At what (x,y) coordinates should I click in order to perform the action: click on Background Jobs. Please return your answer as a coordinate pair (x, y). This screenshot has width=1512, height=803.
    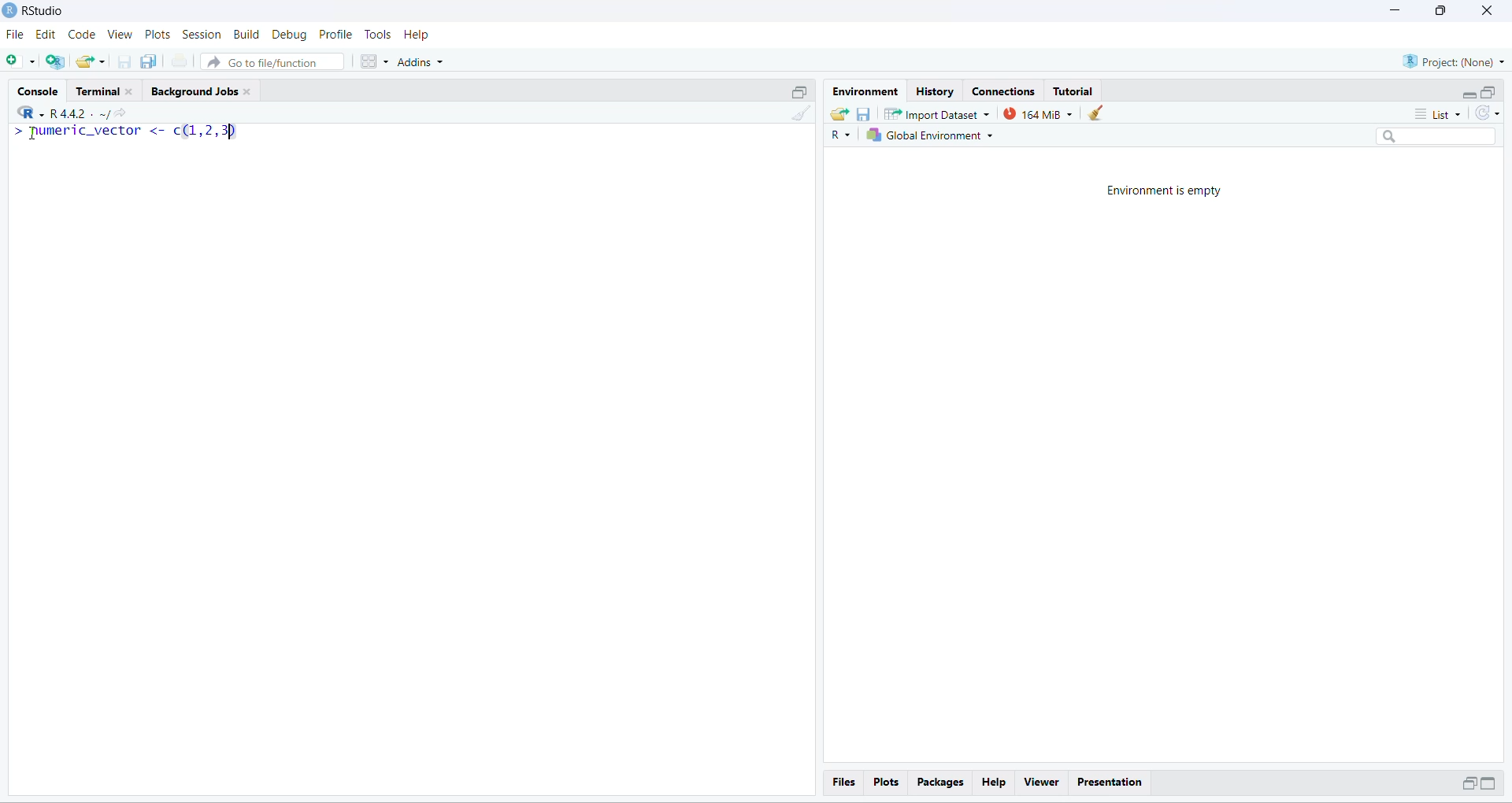
    Looking at the image, I should click on (205, 90).